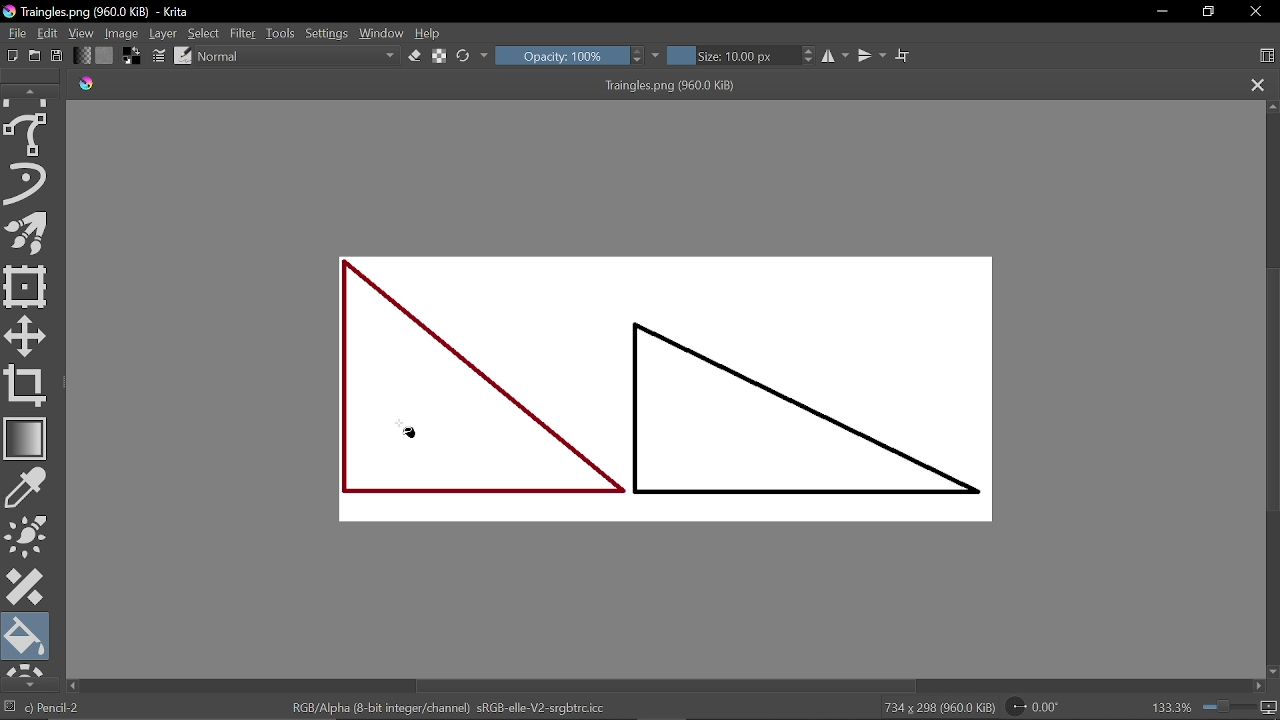  I want to click on Filter, so click(245, 34).